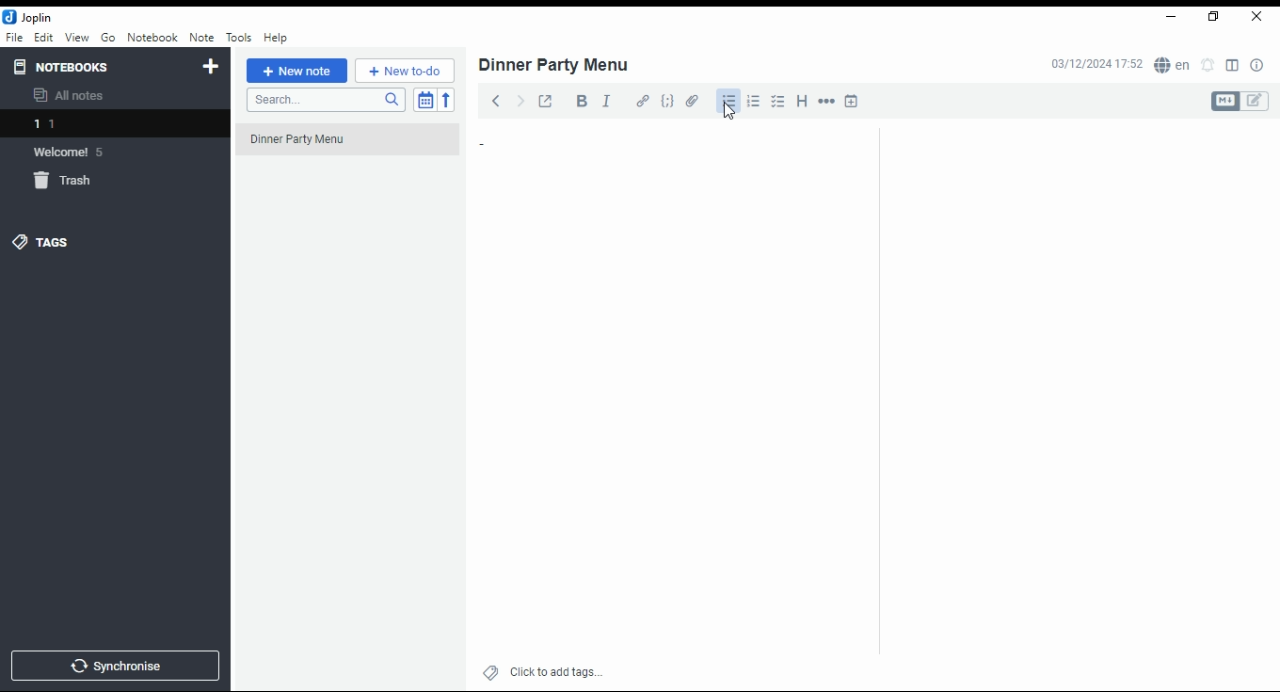 This screenshot has height=692, width=1280. I want to click on heading, so click(805, 102).